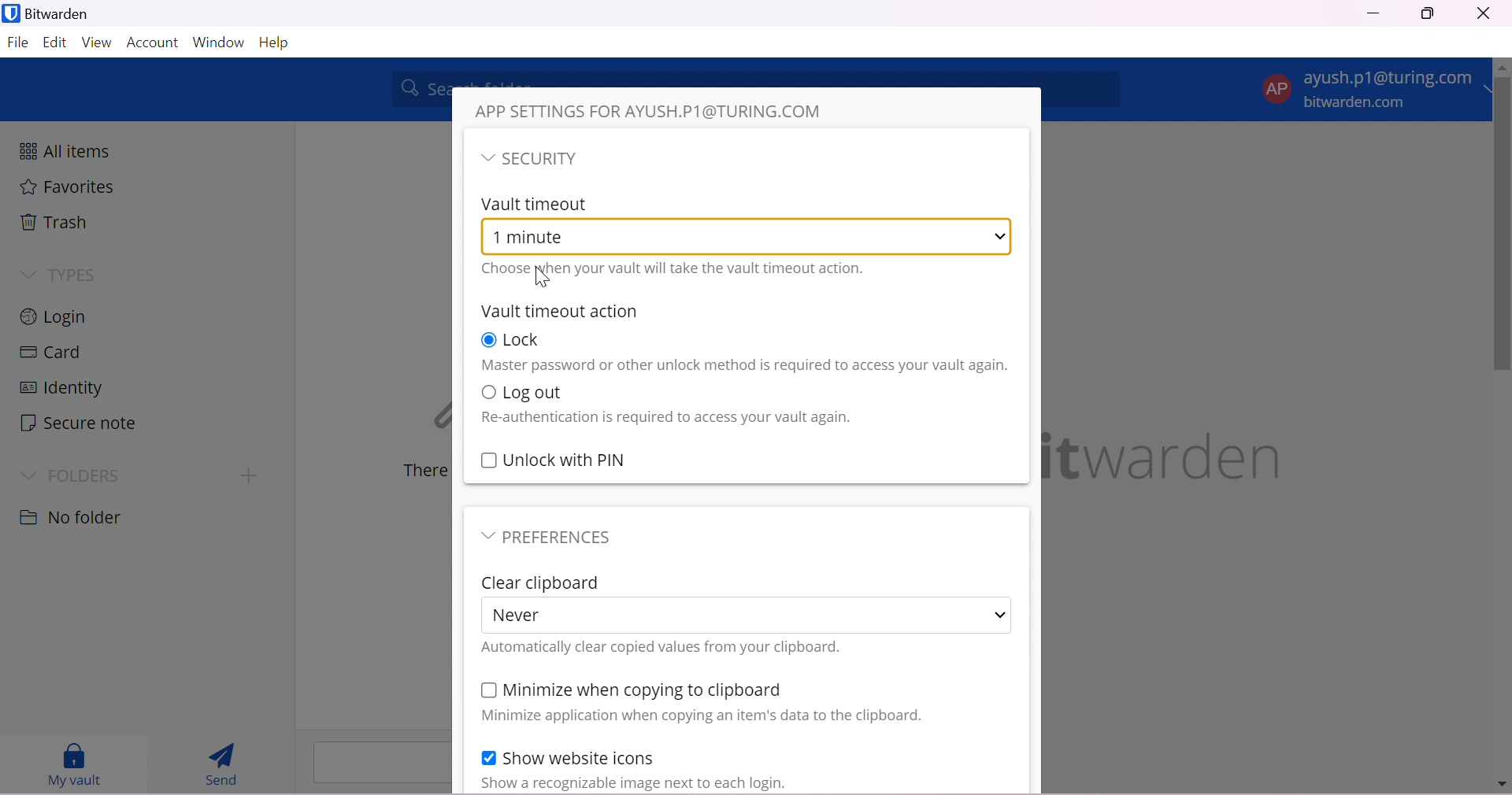 Image resolution: width=1512 pixels, height=795 pixels. What do you see at coordinates (1002, 614) in the screenshot?
I see `Drop Down` at bounding box center [1002, 614].